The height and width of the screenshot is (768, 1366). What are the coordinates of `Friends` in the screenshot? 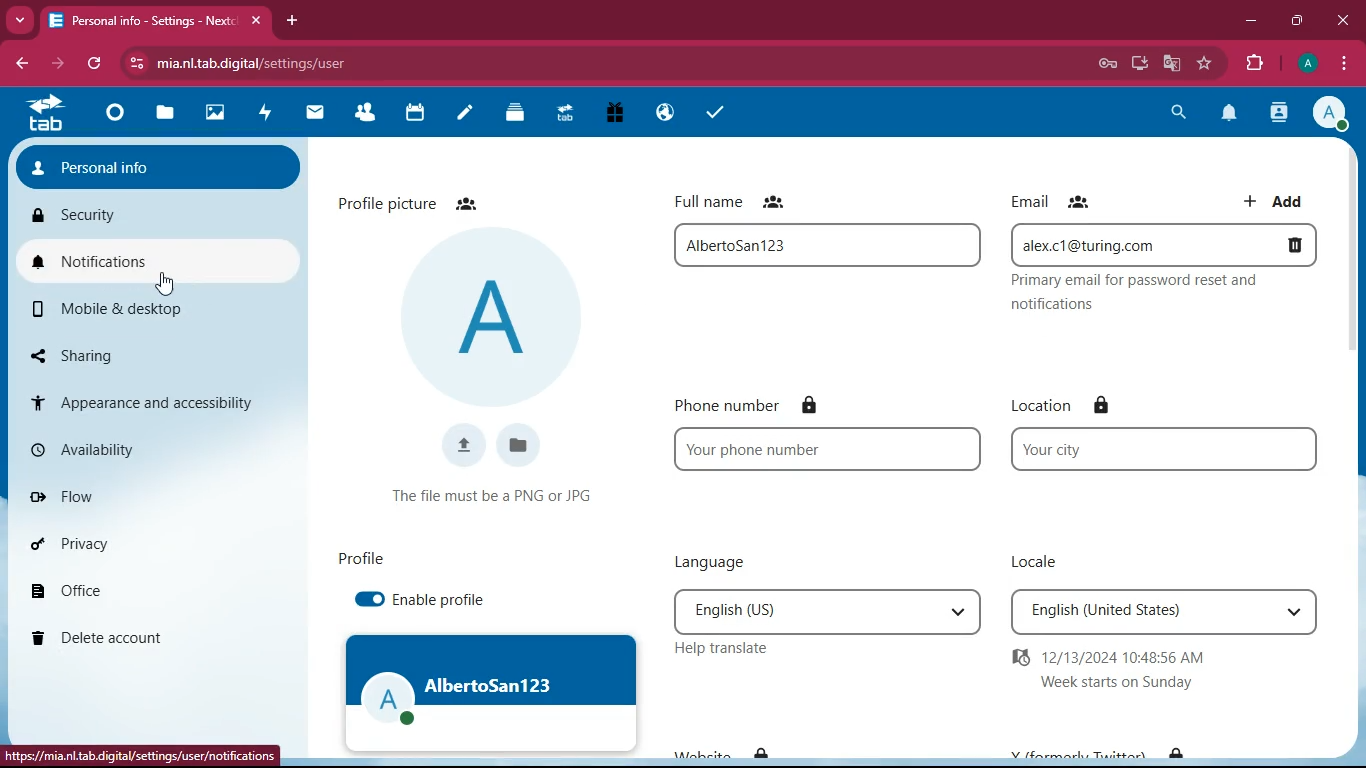 It's located at (780, 200).